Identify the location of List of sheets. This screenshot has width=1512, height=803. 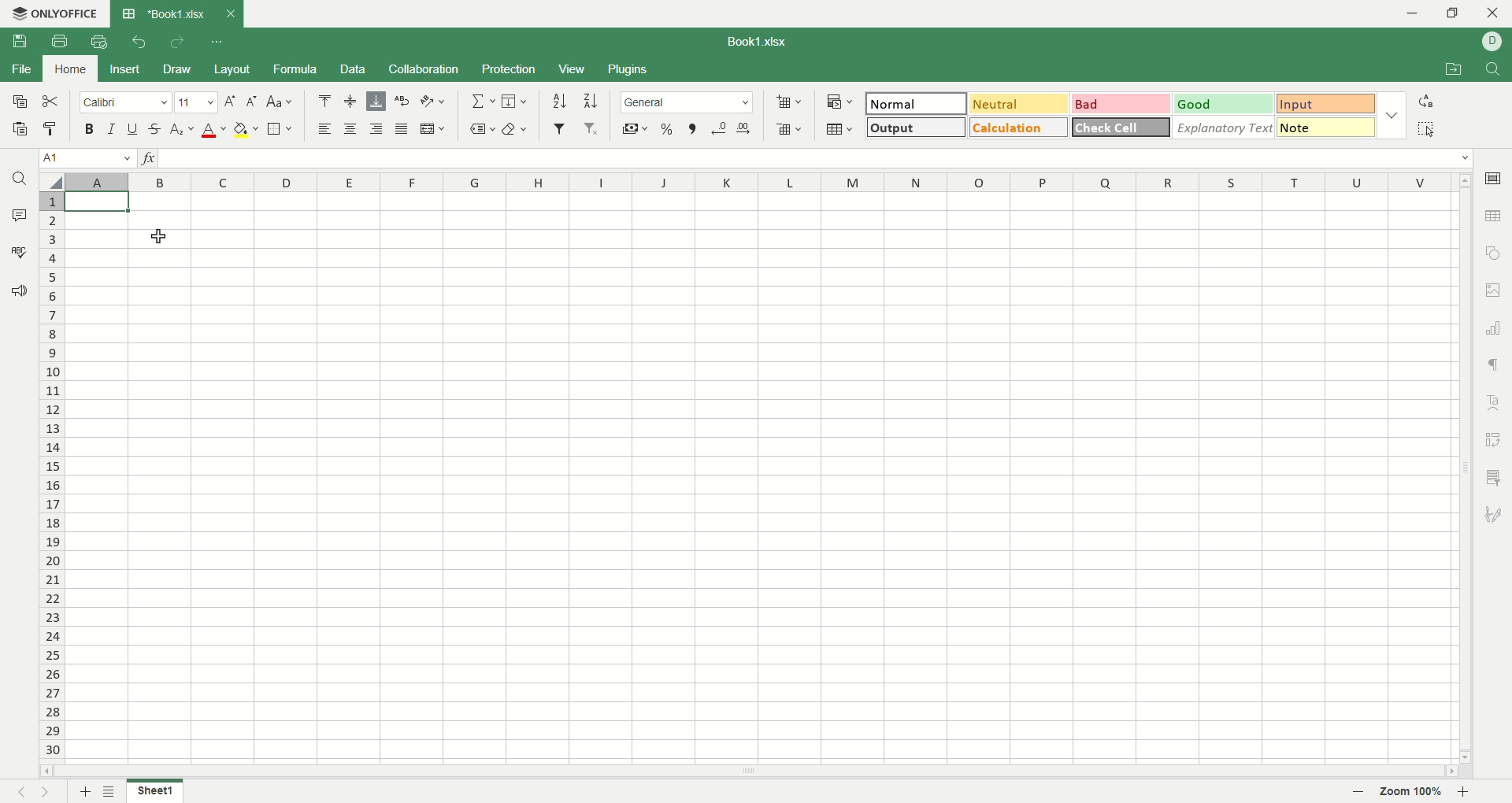
(110, 791).